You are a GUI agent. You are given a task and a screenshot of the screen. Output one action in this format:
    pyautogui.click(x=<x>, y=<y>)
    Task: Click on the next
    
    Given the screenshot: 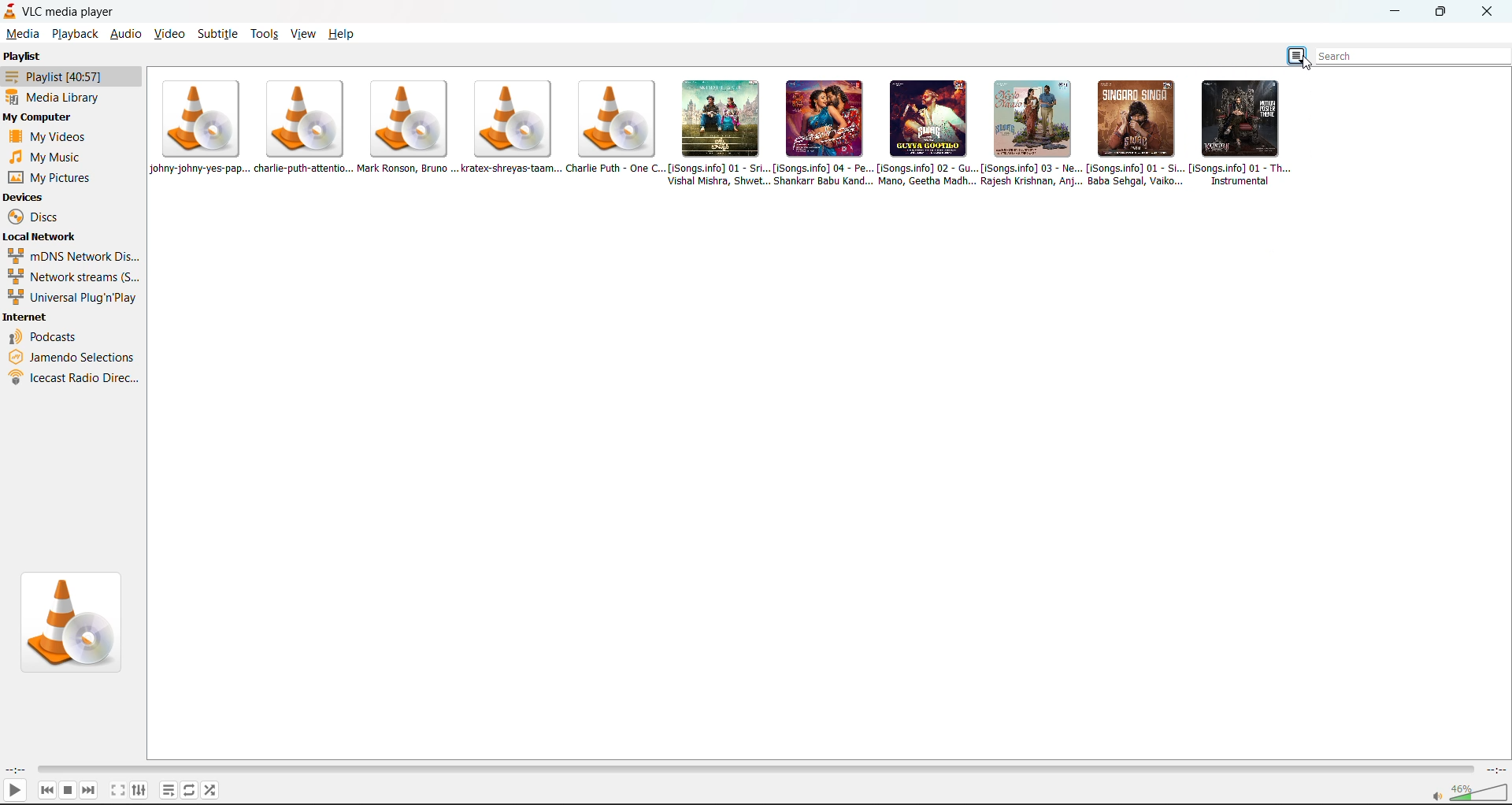 What is the action you would take?
    pyautogui.click(x=90, y=789)
    